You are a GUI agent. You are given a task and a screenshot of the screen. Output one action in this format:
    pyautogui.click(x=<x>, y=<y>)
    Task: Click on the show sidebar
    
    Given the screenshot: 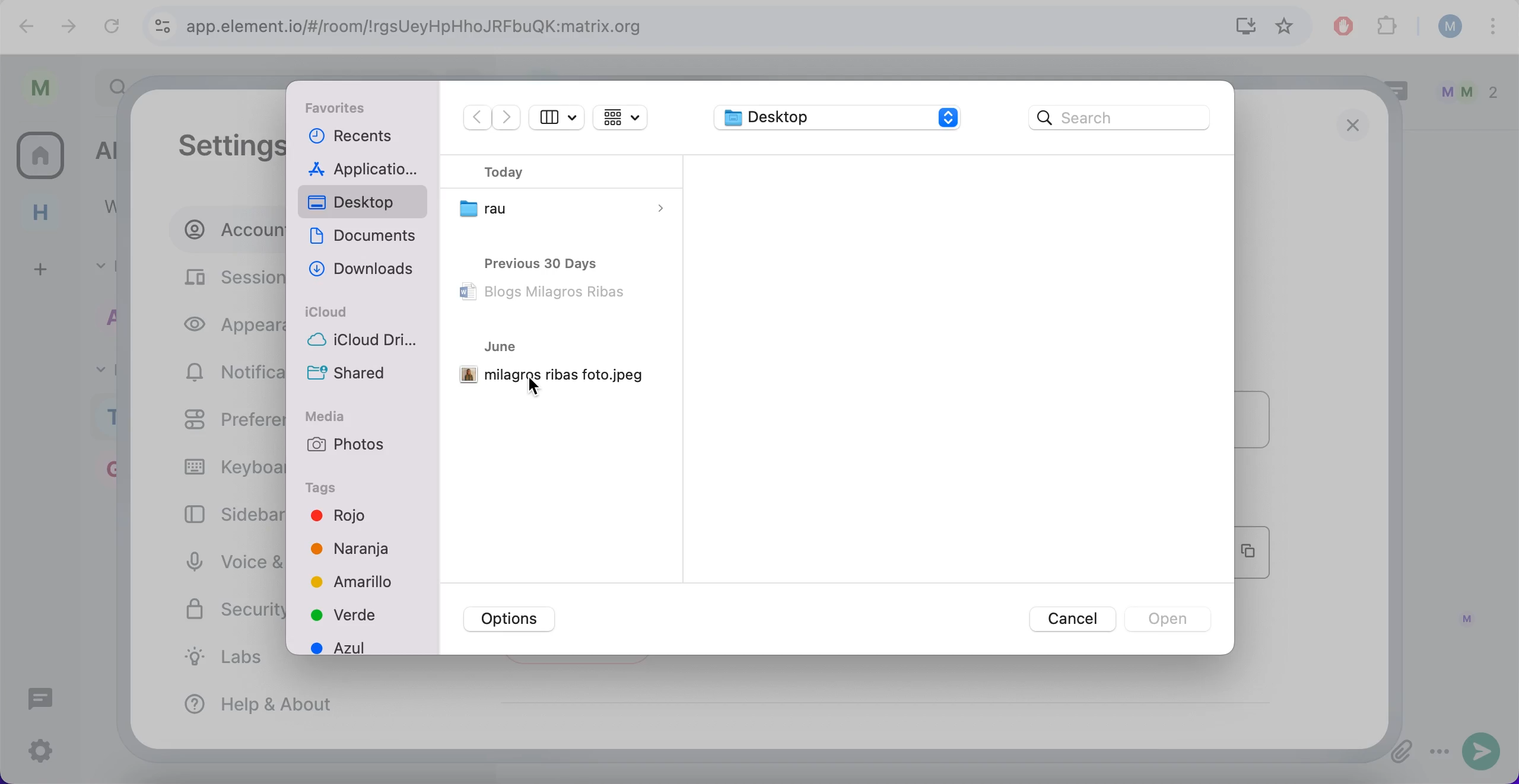 What is the action you would take?
    pyautogui.click(x=557, y=118)
    